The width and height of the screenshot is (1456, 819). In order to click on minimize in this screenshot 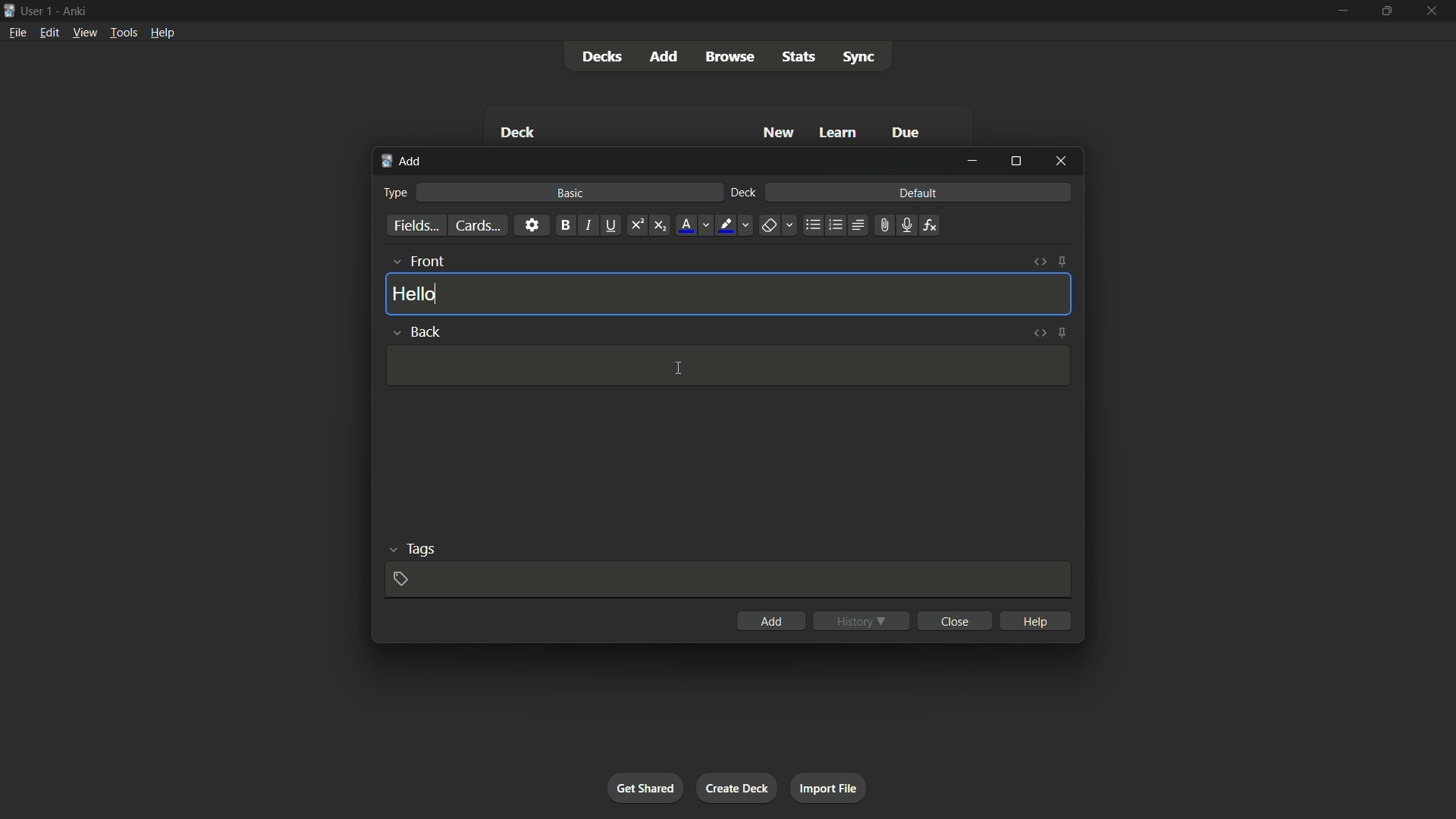, I will do `click(972, 161)`.